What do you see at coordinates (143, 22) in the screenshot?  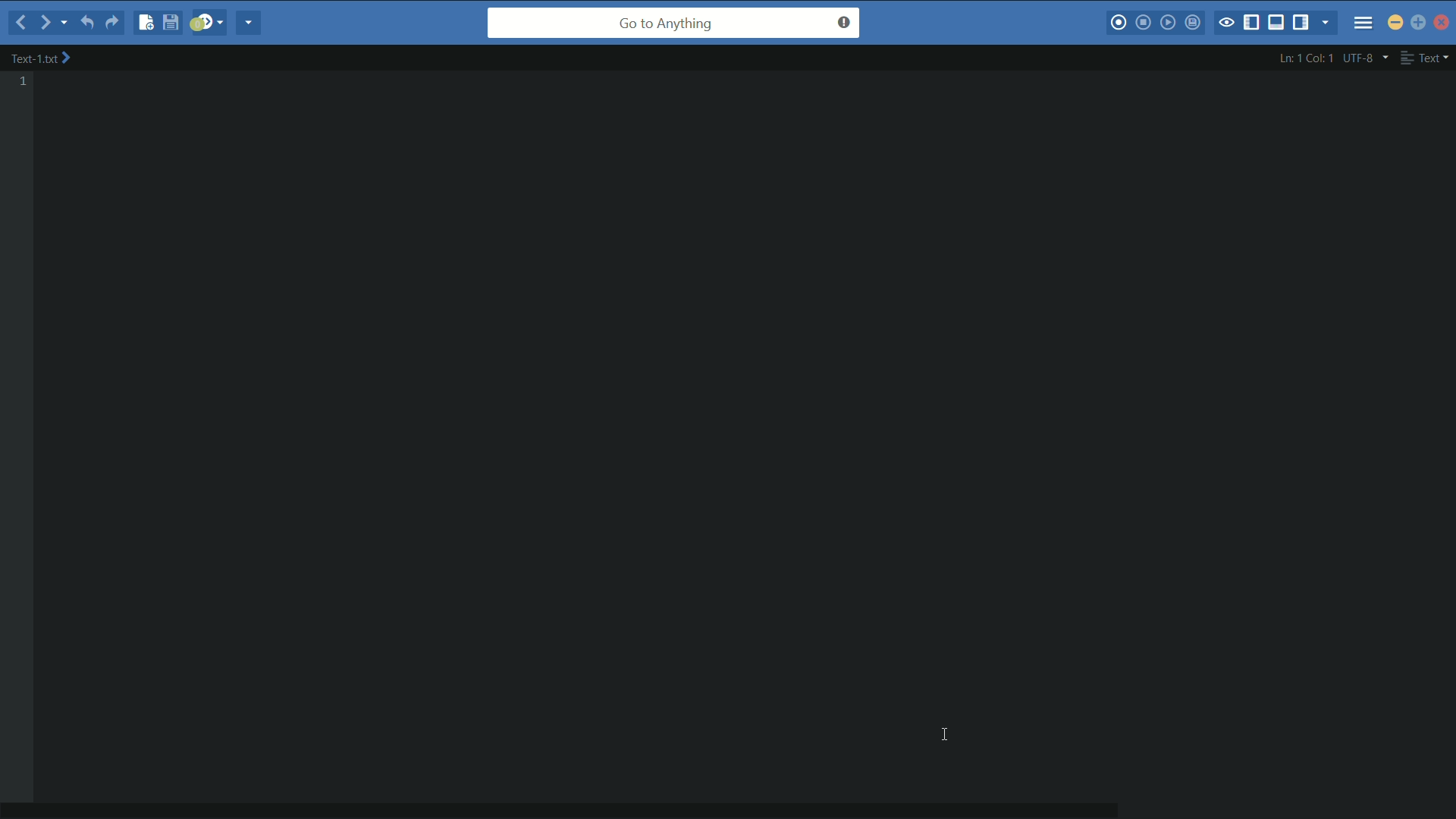 I see `new file` at bounding box center [143, 22].